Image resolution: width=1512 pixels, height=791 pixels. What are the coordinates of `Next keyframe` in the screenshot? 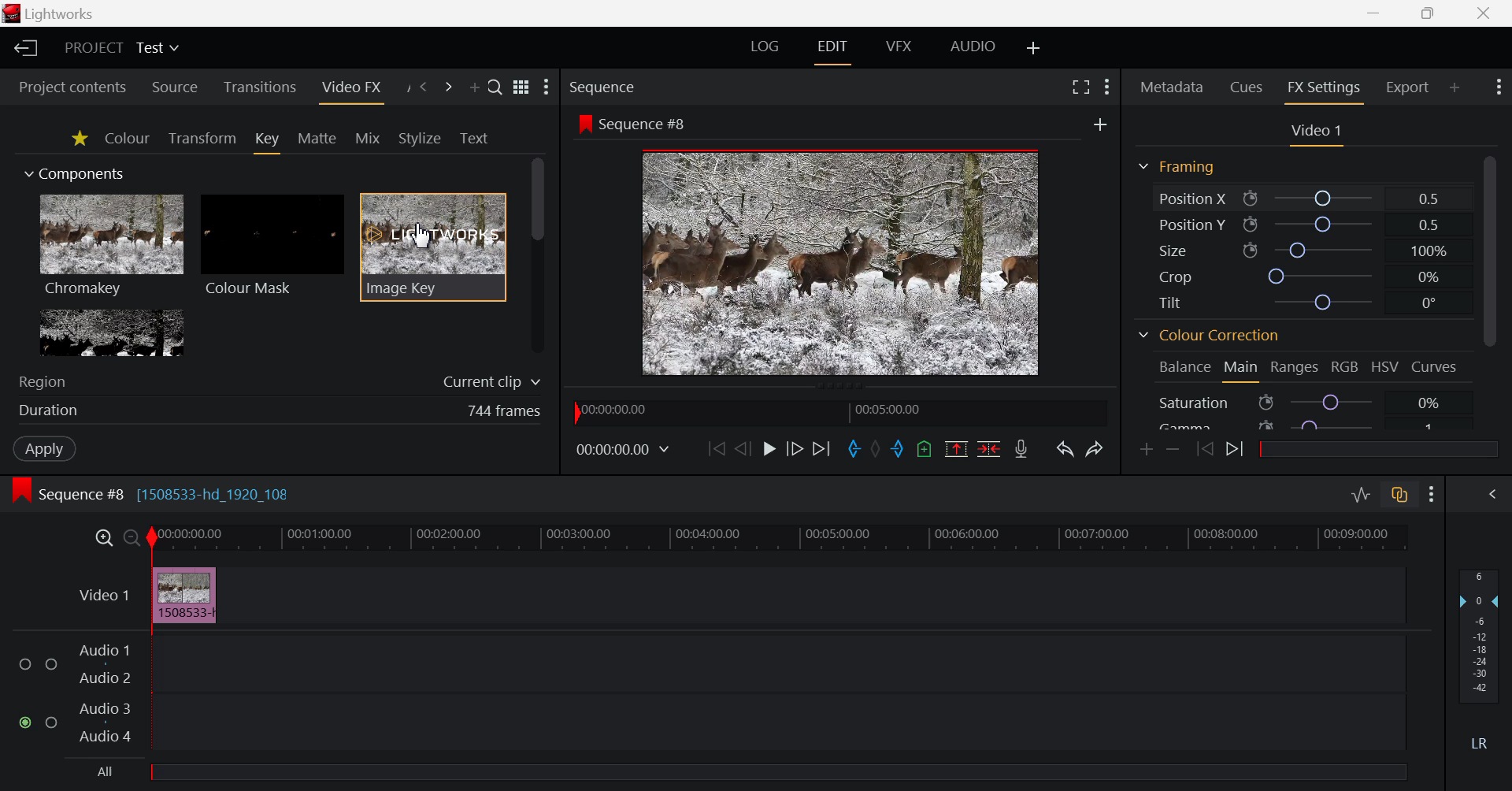 It's located at (1235, 452).